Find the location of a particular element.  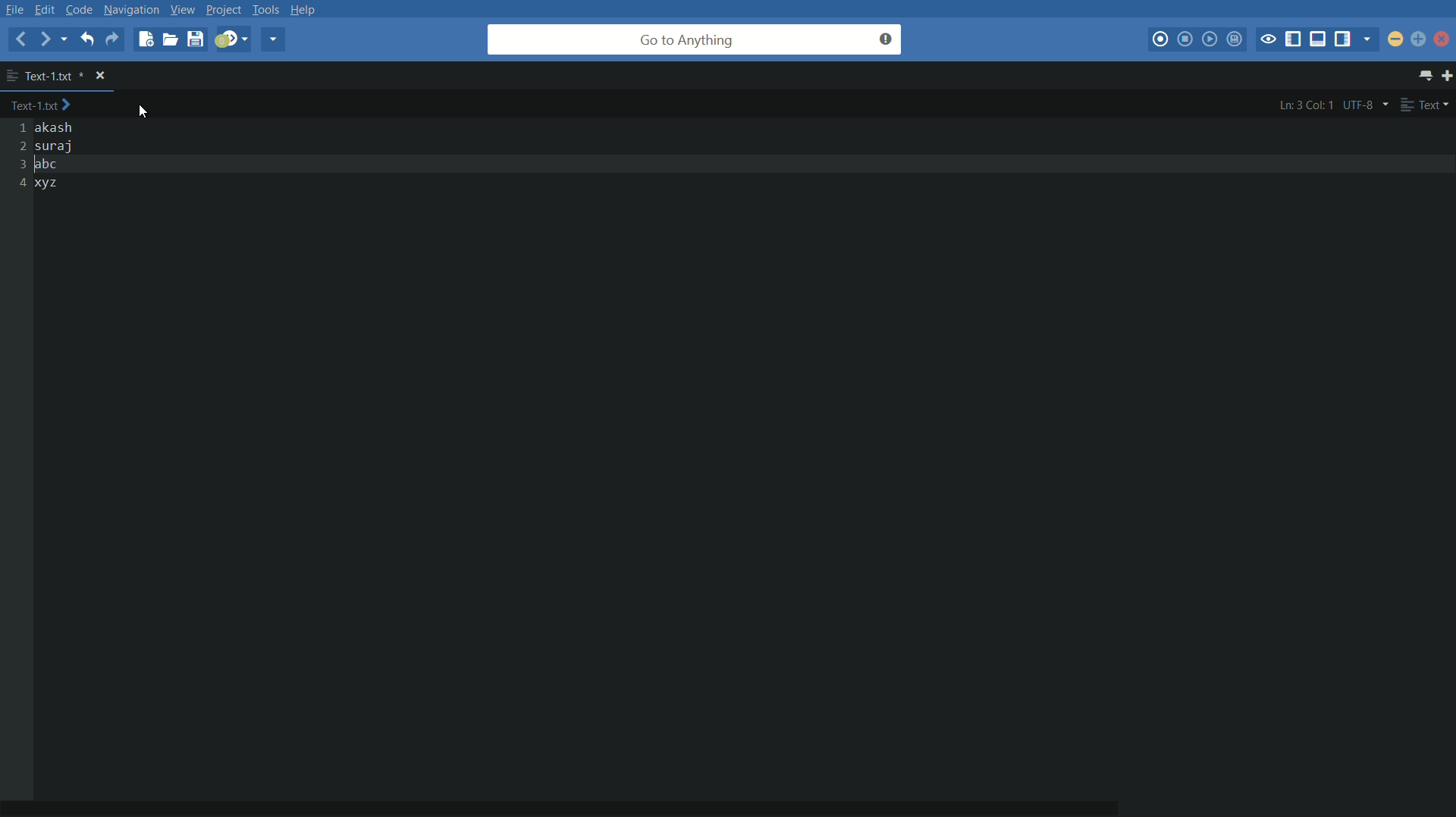

go to anything is located at coordinates (695, 39).